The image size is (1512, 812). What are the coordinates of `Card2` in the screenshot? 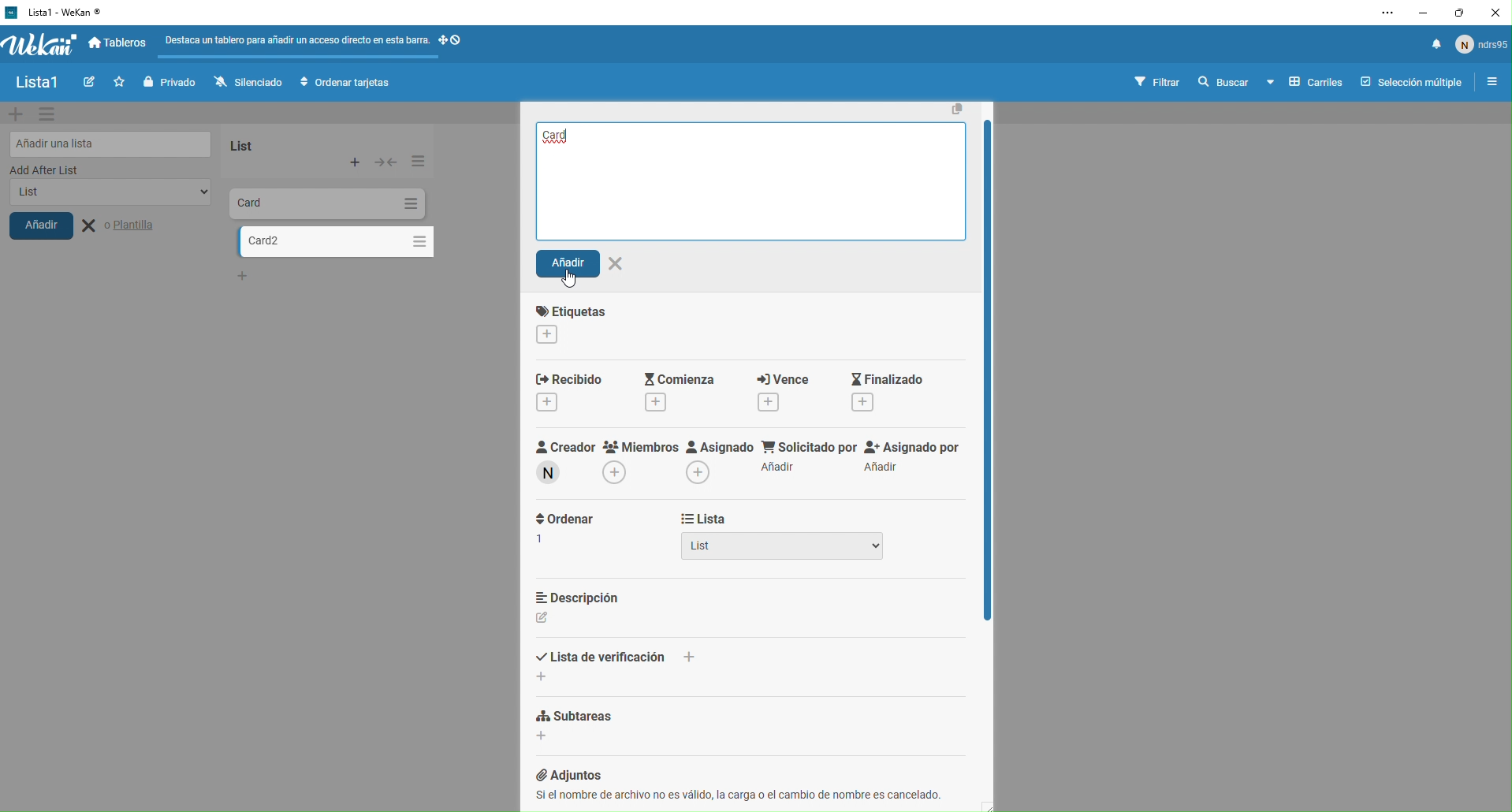 It's located at (562, 136).